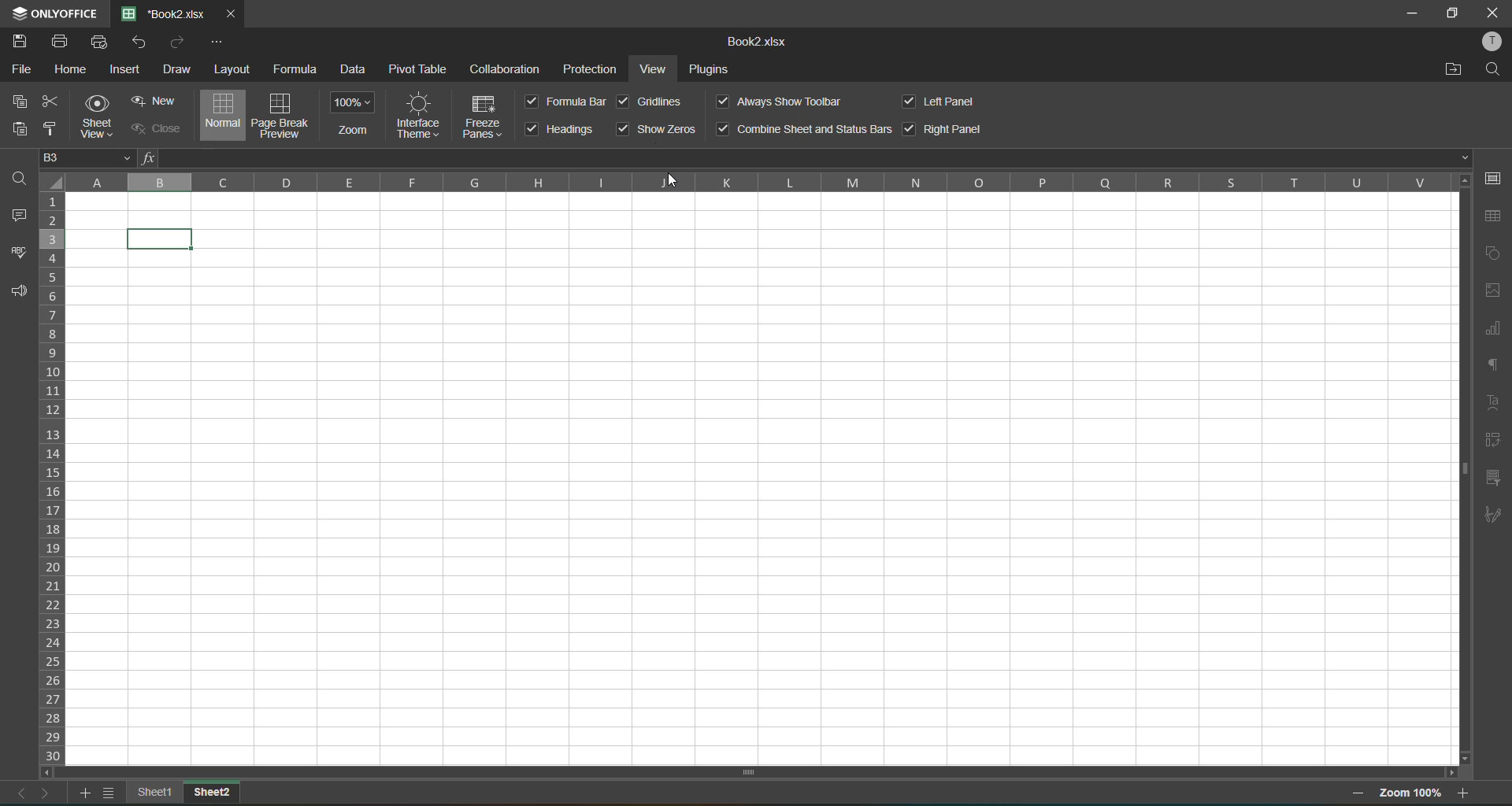  What do you see at coordinates (280, 114) in the screenshot?
I see `page break preview` at bounding box center [280, 114].